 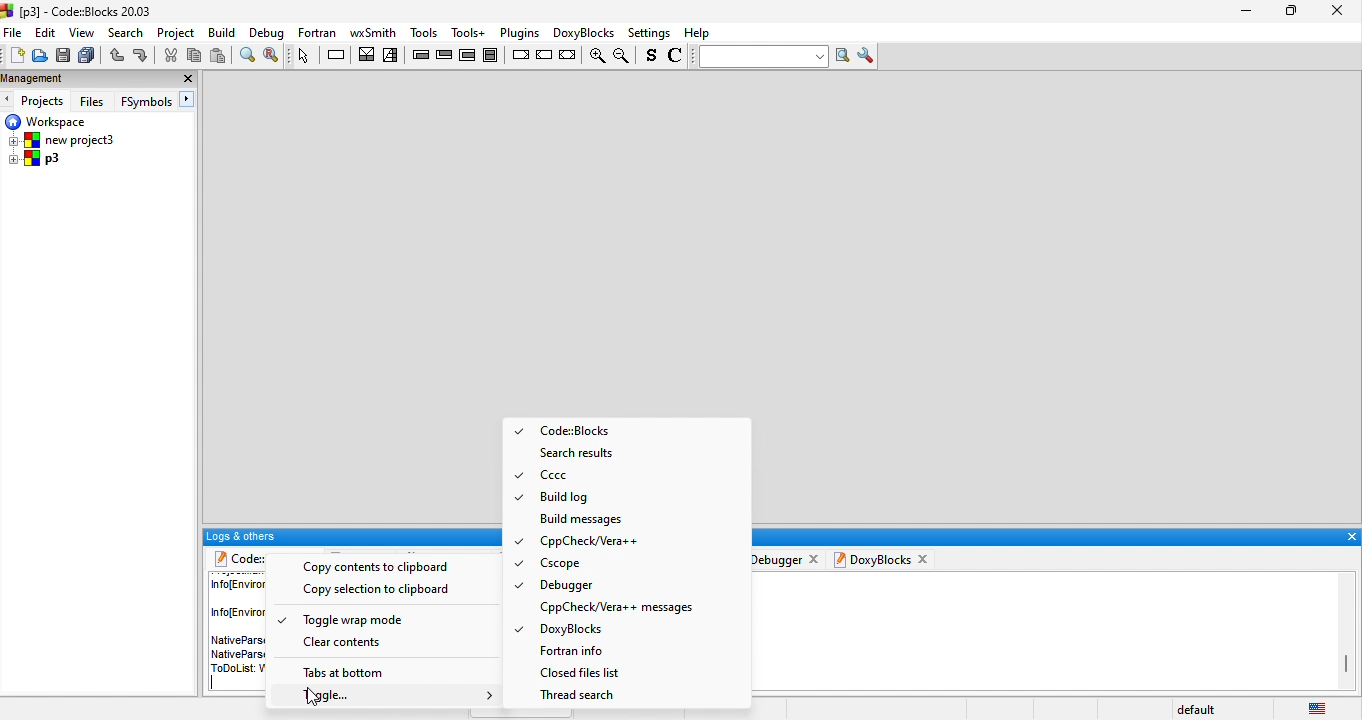 What do you see at coordinates (494, 55) in the screenshot?
I see `block instruction` at bounding box center [494, 55].